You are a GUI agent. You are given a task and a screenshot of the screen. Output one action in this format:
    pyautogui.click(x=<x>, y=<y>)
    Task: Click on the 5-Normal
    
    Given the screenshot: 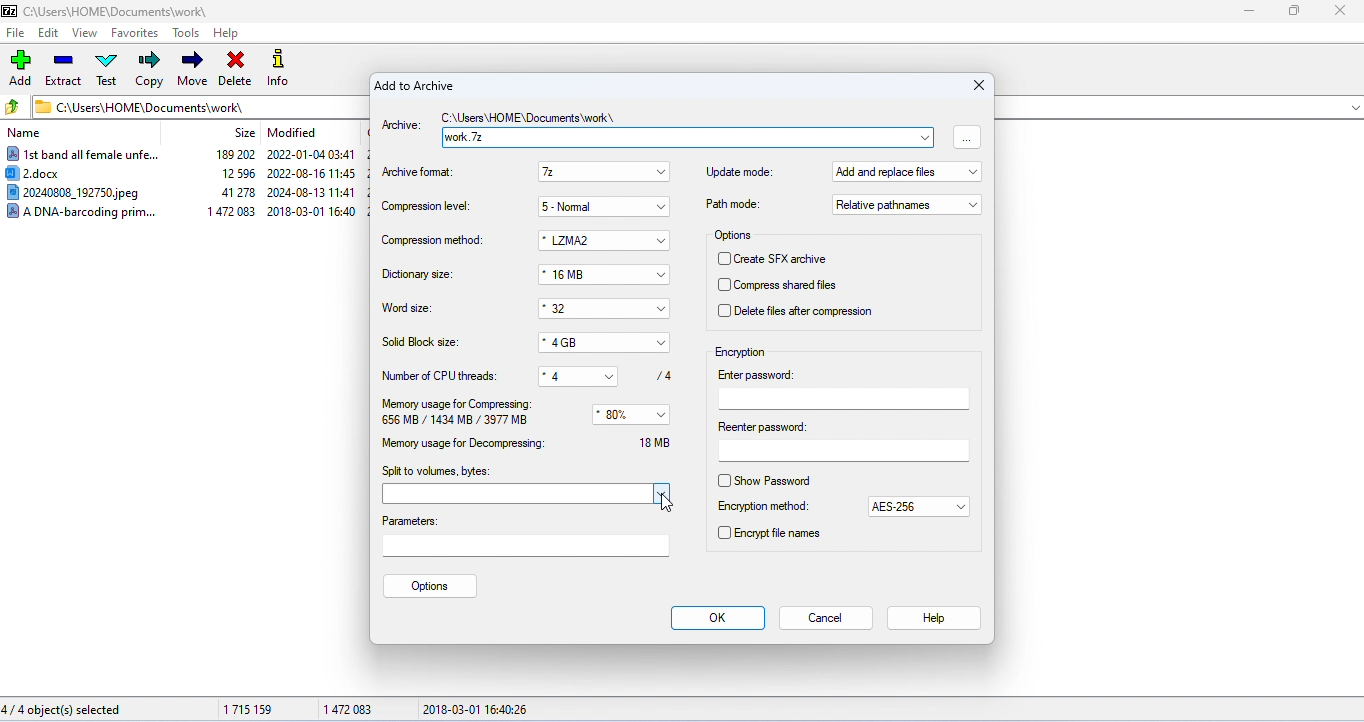 What is the action you would take?
    pyautogui.click(x=591, y=206)
    